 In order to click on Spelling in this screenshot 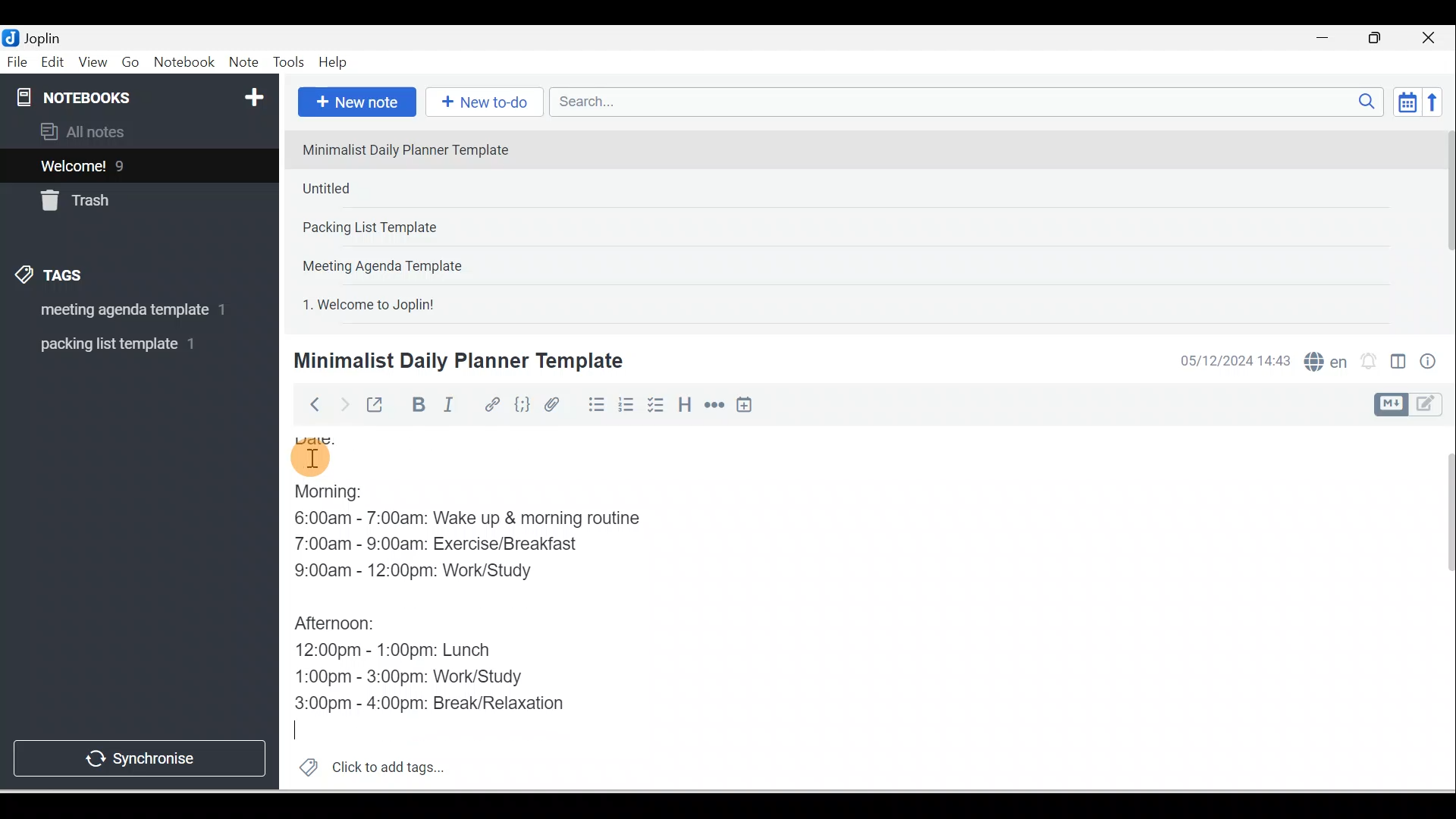, I will do `click(1323, 359)`.